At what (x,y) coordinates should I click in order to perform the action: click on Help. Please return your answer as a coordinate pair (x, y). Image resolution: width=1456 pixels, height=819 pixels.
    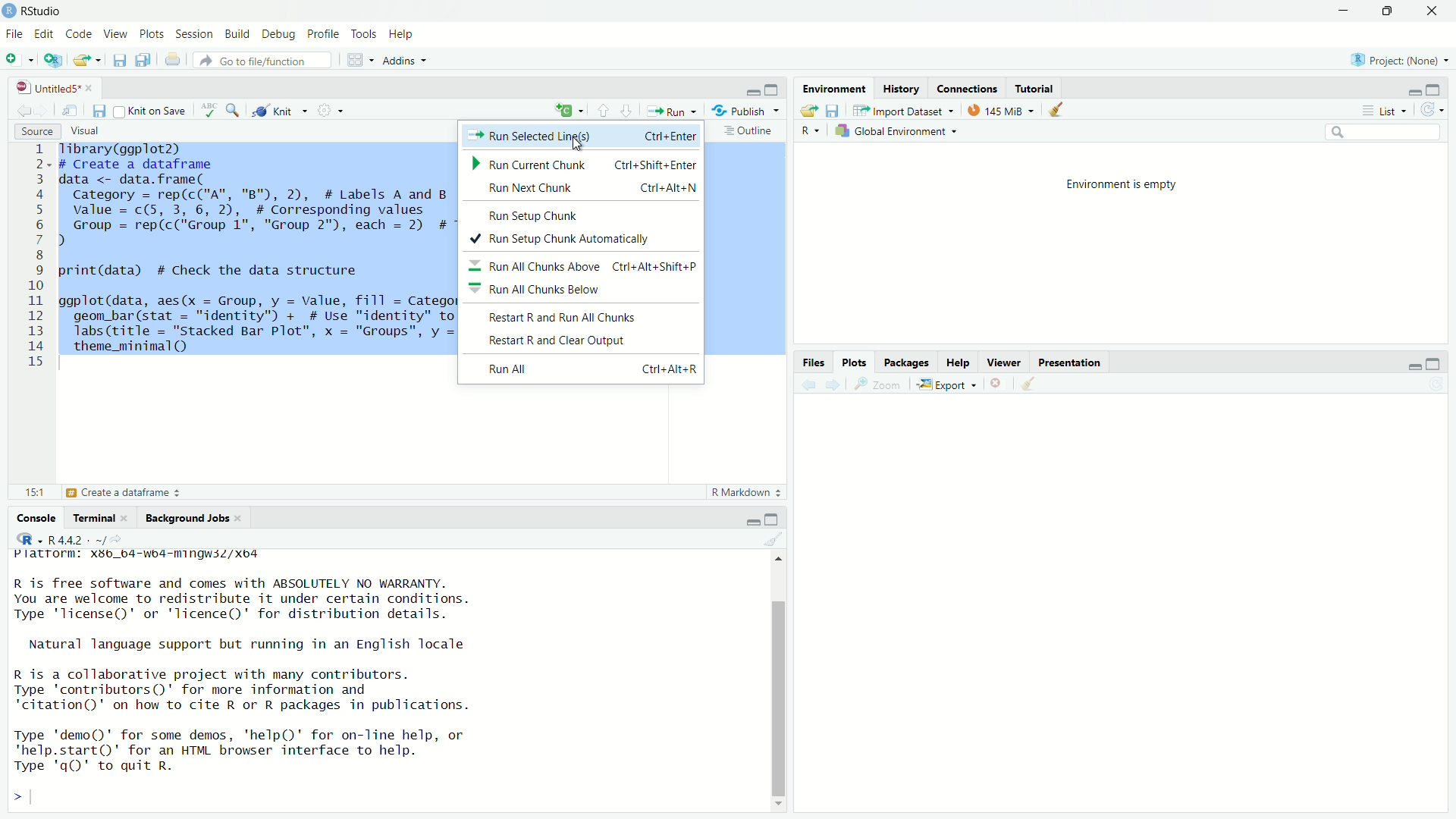
    Looking at the image, I should click on (957, 360).